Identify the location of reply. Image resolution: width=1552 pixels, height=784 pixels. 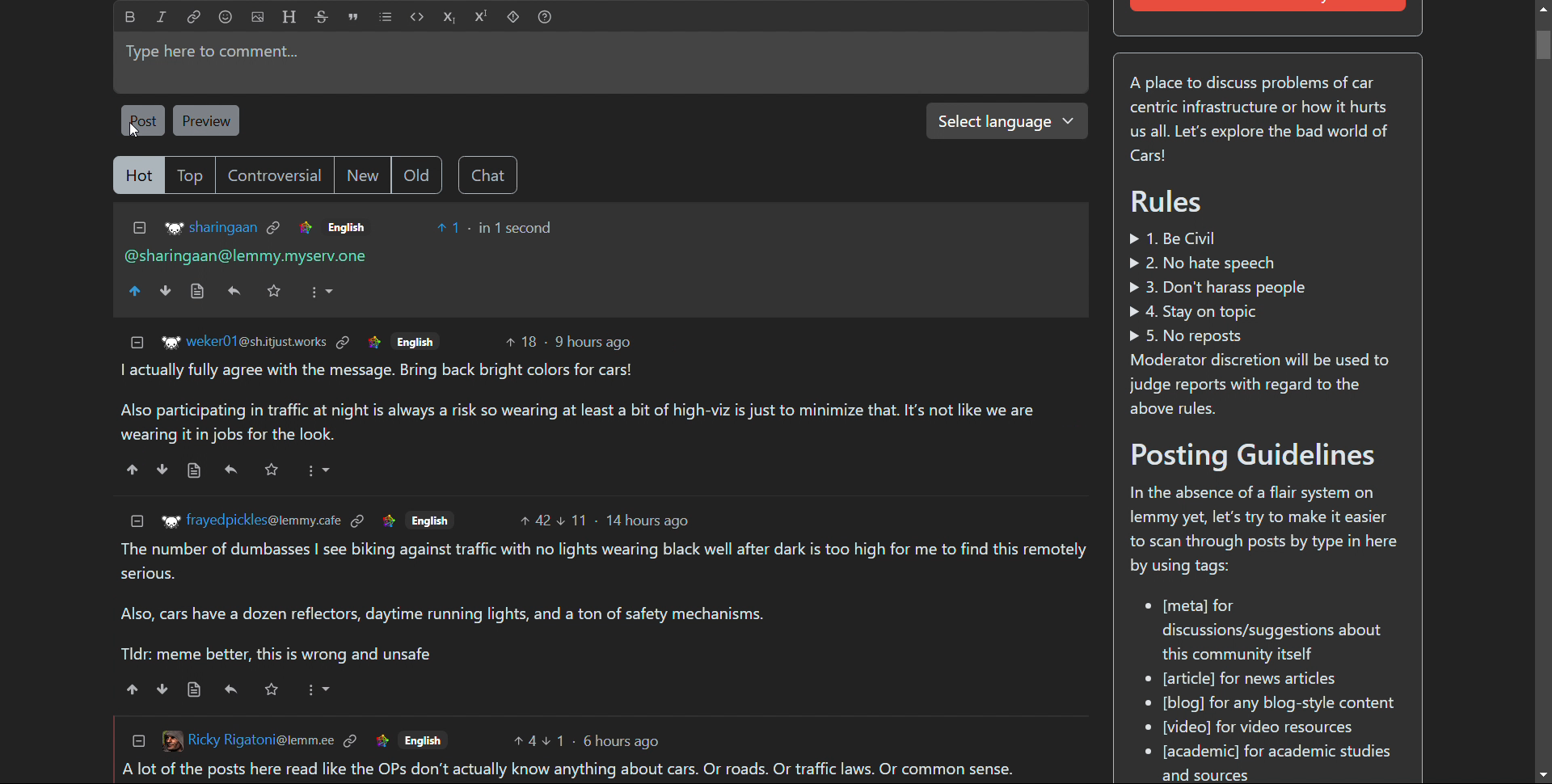
(232, 688).